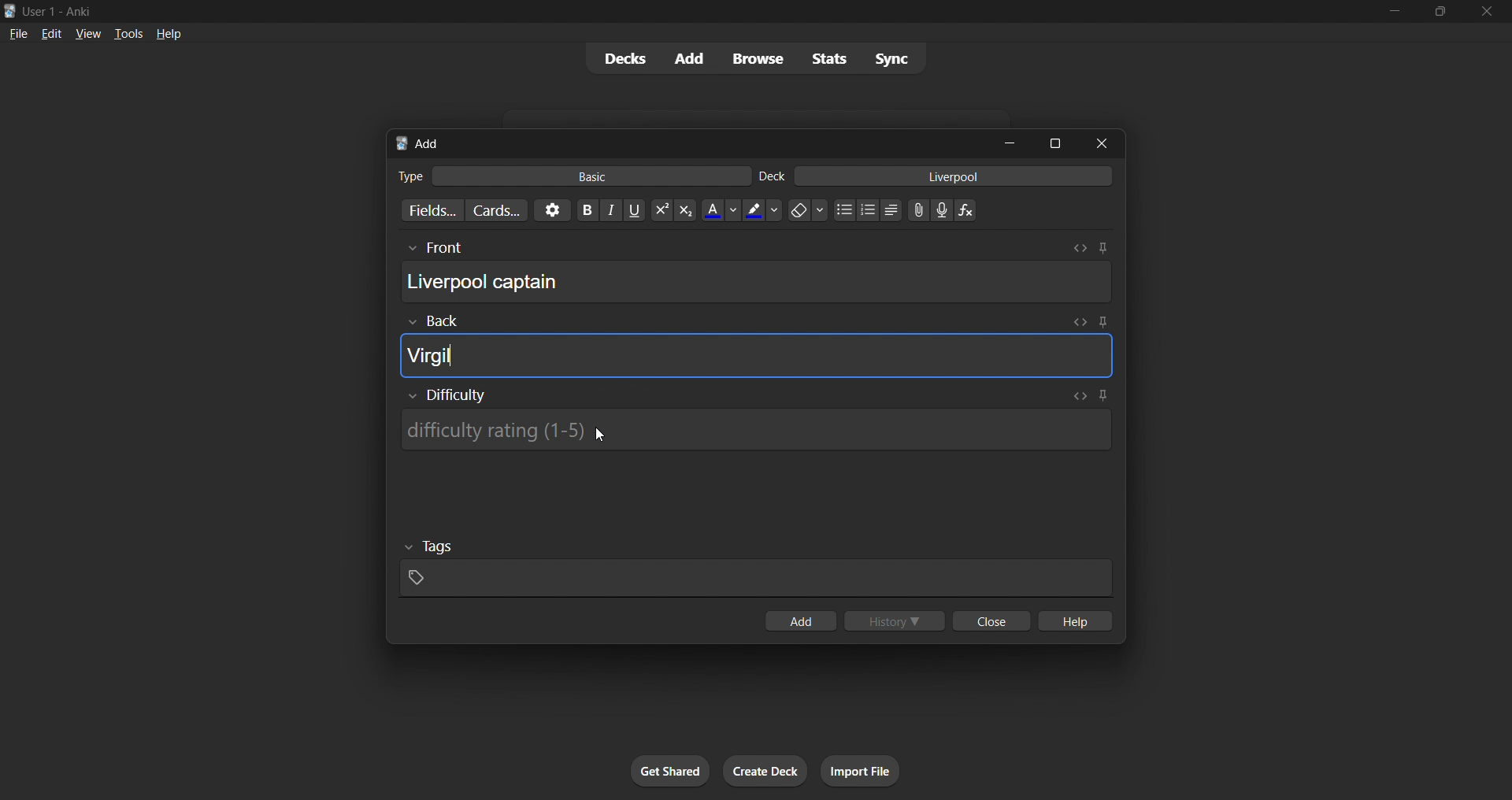  What do you see at coordinates (1102, 397) in the screenshot?
I see `Toggle sticky` at bounding box center [1102, 397].